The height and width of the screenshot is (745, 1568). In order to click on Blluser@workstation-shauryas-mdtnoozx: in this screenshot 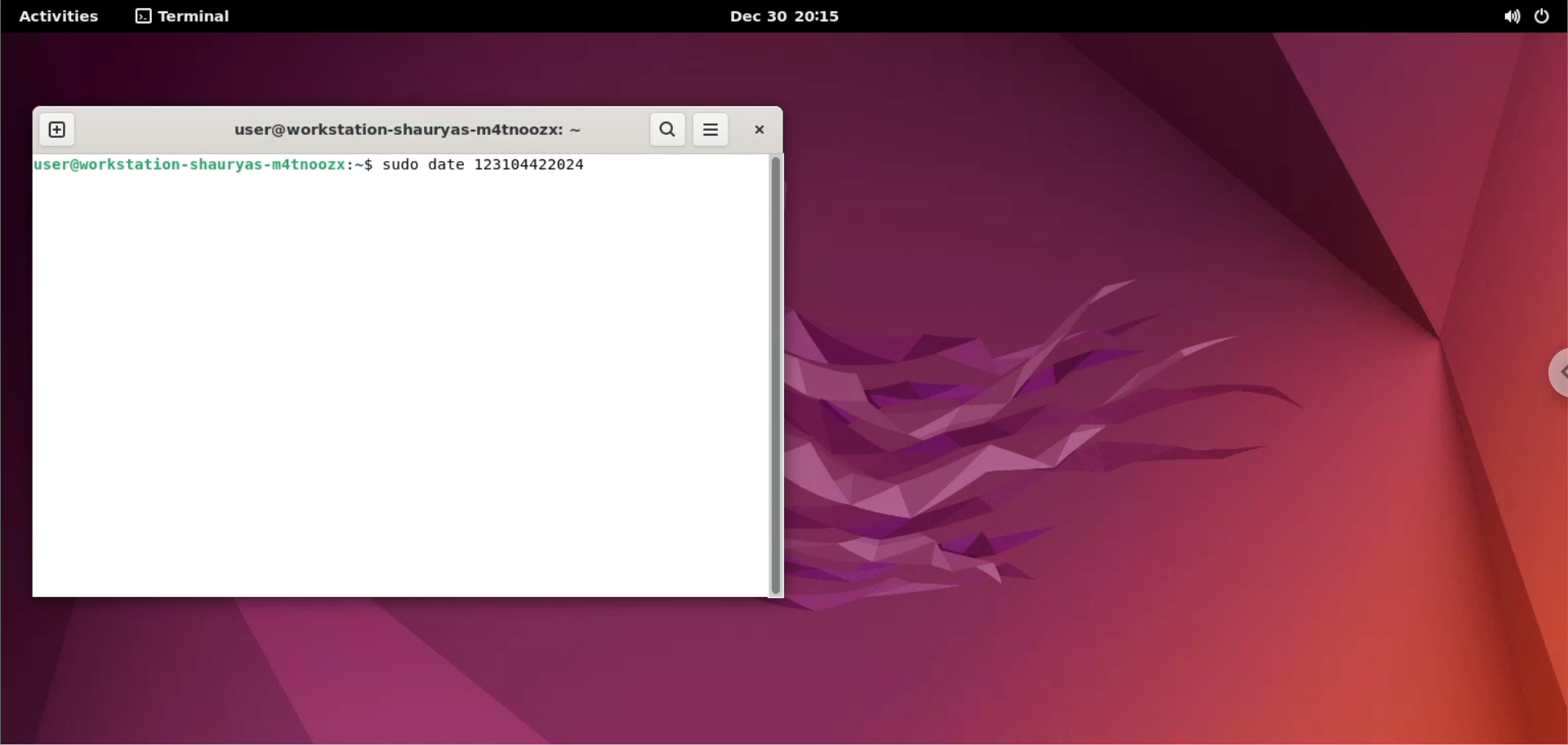, I will do `click(192, 166)`.